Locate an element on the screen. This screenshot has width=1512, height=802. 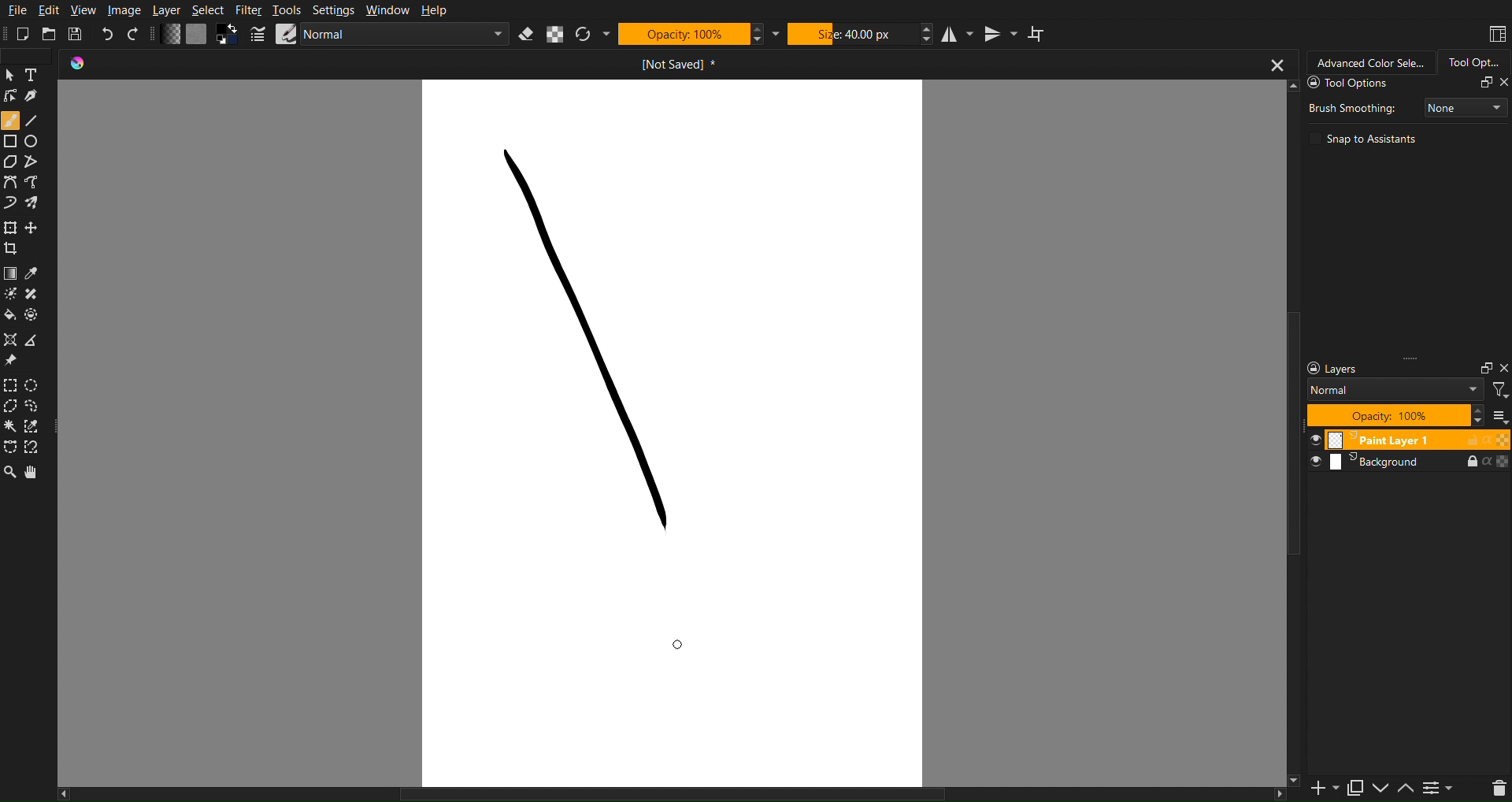
Picker Marquee is located at coordinates (38, 427).